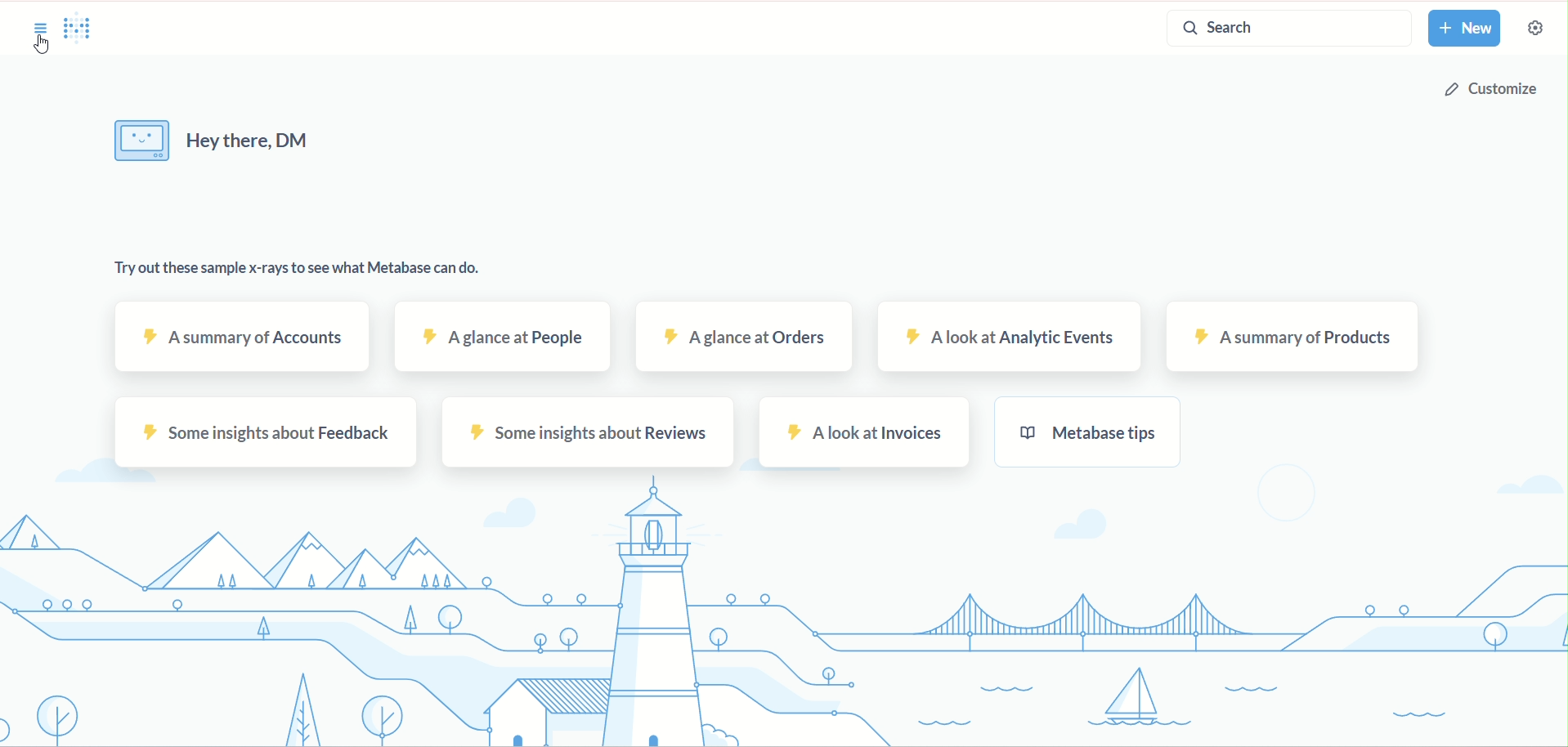 The height and width of the screenshot is (747, 1568). What do you see at coordinates (1087, 432) in the screenshot?
I see `metabase tips` at bounding box center [1087, 432].